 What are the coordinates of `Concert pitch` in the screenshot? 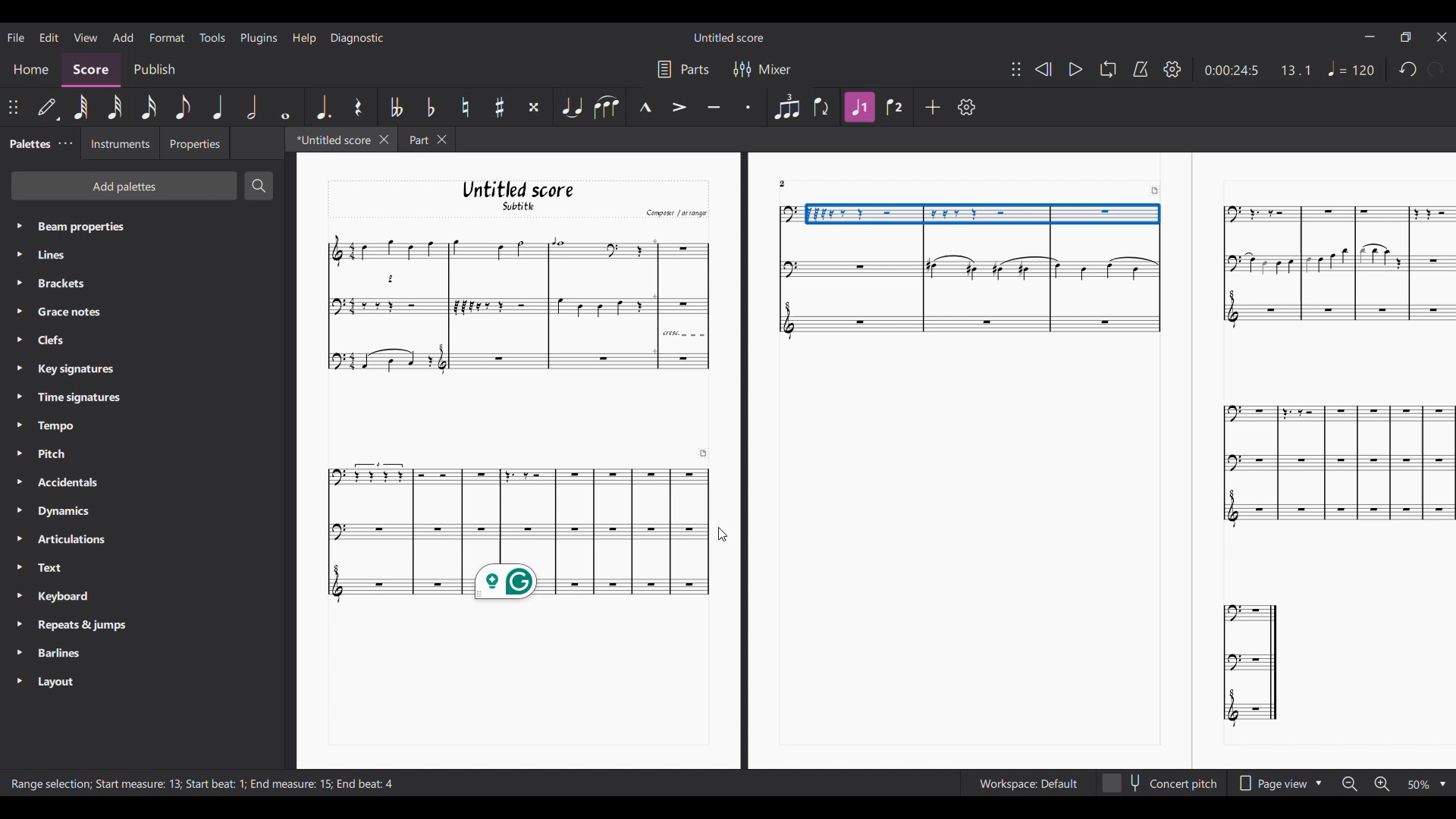 It's located at (1159, 783).